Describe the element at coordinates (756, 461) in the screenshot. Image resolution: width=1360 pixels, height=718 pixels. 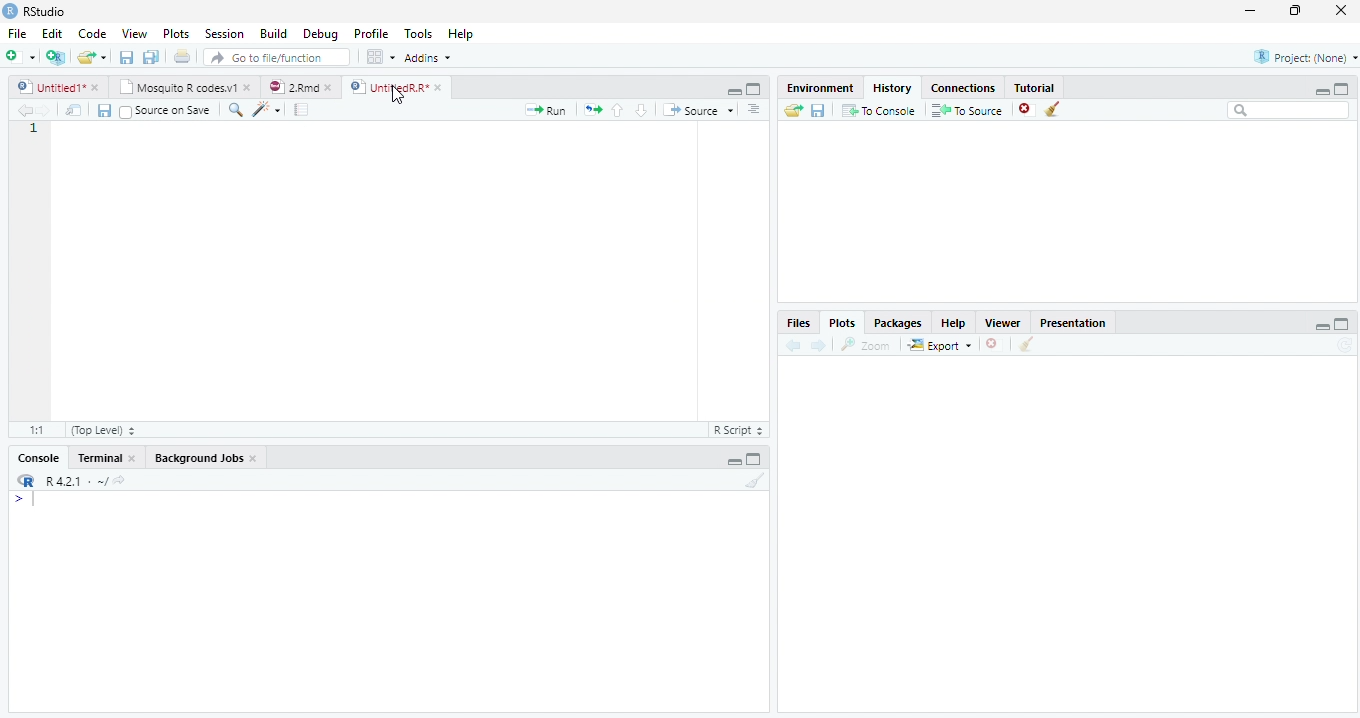
I see `Maximize` at that location.